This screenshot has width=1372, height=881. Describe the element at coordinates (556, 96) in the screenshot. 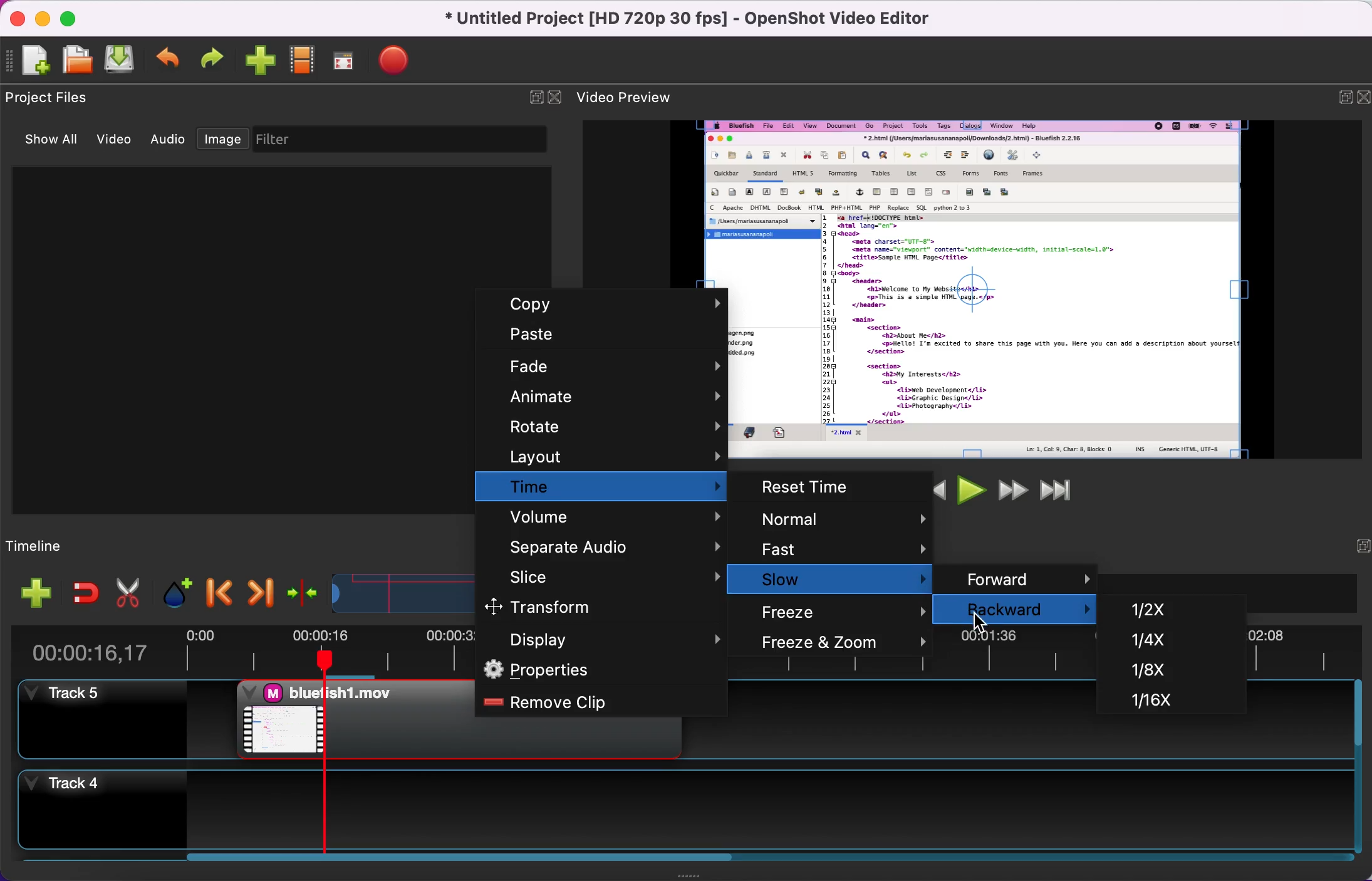

I see `close` at that location.